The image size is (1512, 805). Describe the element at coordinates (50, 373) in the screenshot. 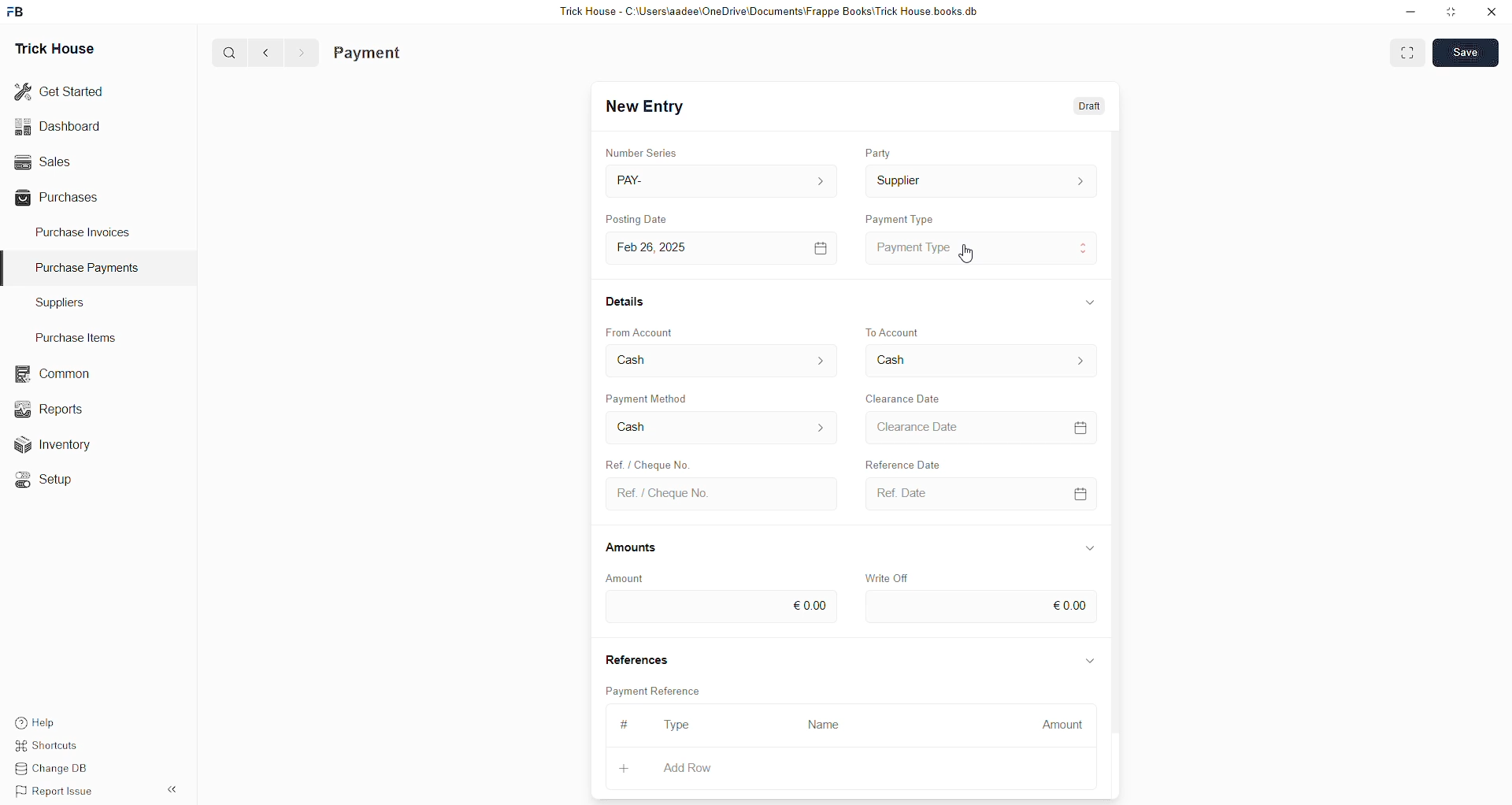

I see `Common` at that location.